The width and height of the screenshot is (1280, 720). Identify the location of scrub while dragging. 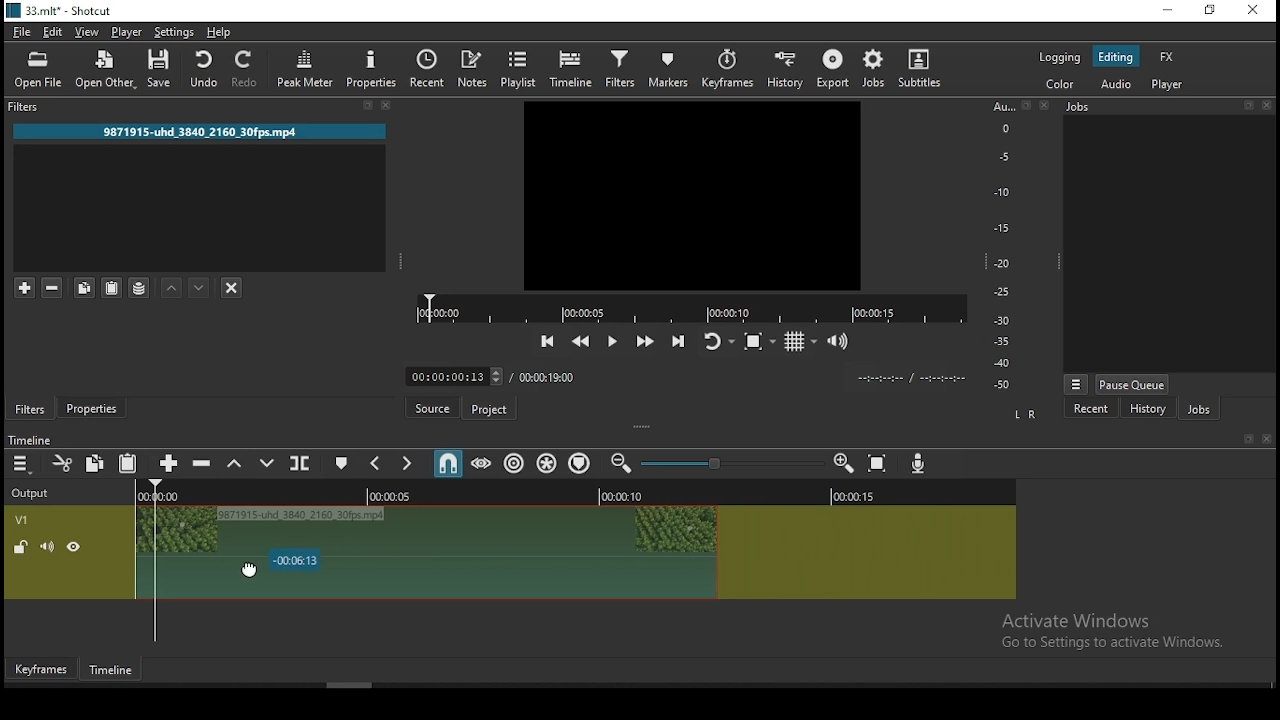
(483, 465).